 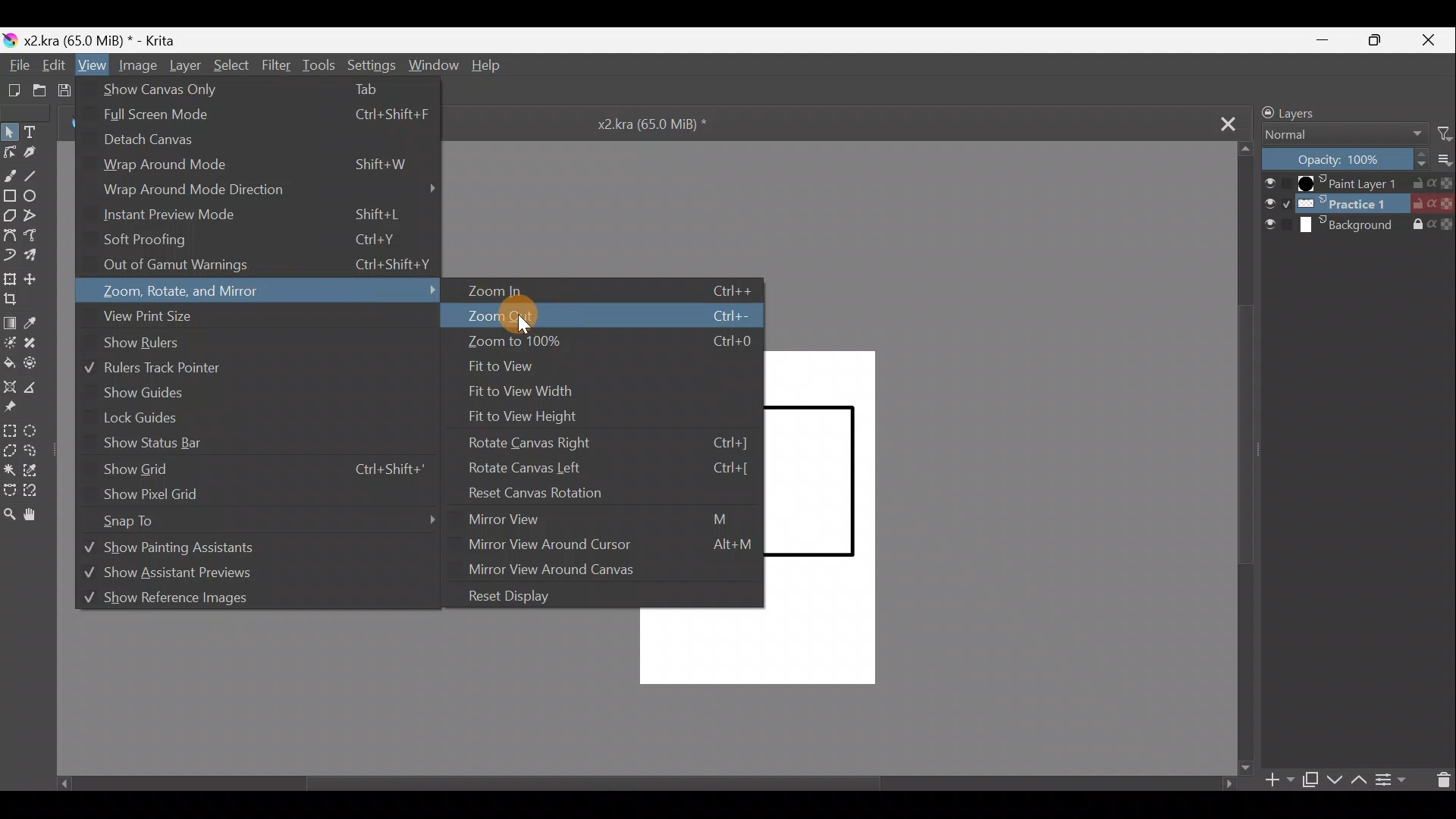 What do you see at coordinates (600, 314) in the screenshot?
I see `Click zoom out` at bounding box center [600, 314].